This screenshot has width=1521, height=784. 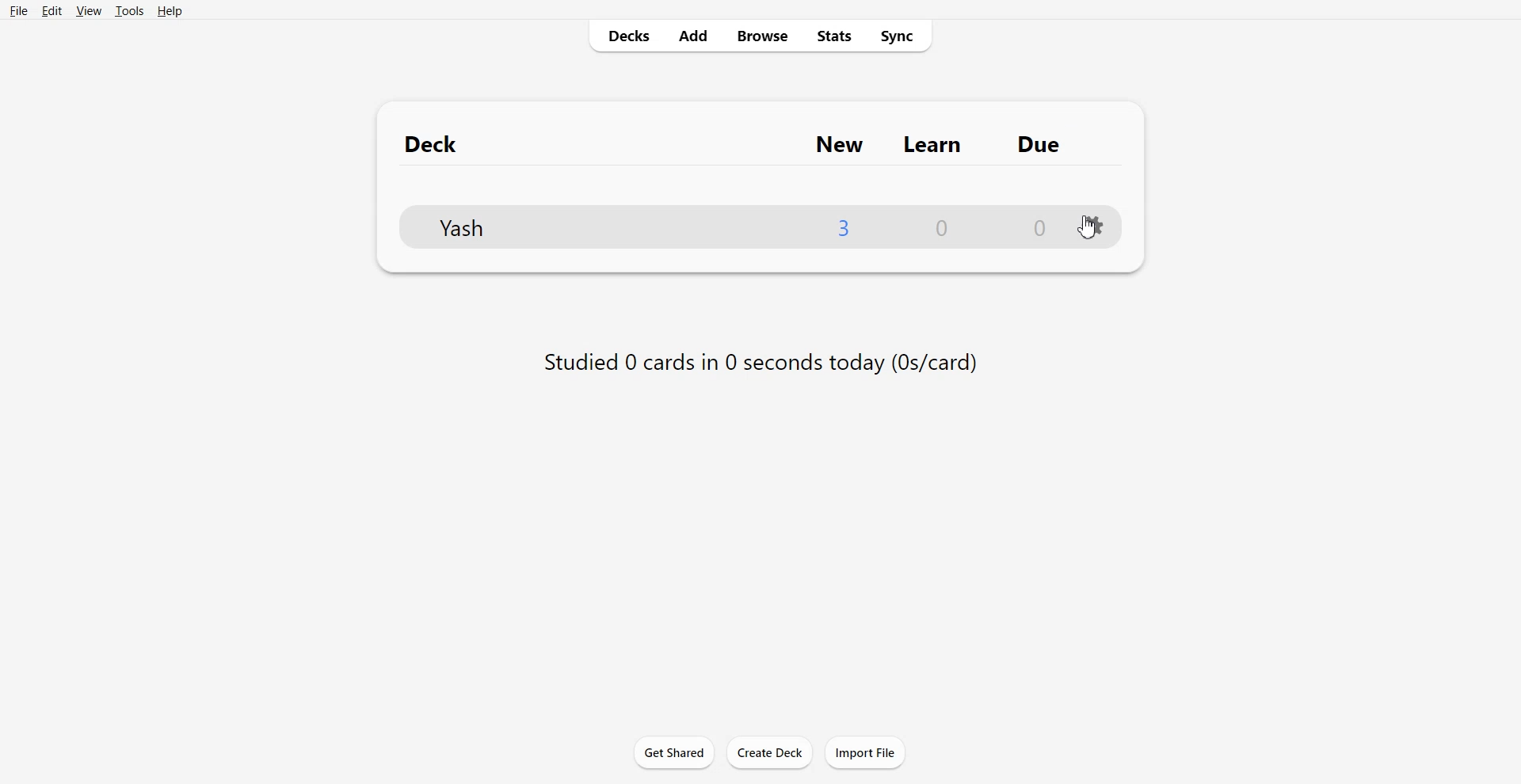 What do you see at coordinates (694, 36) in the screenshot?
I see `Add` at bounding box center [694, 36].